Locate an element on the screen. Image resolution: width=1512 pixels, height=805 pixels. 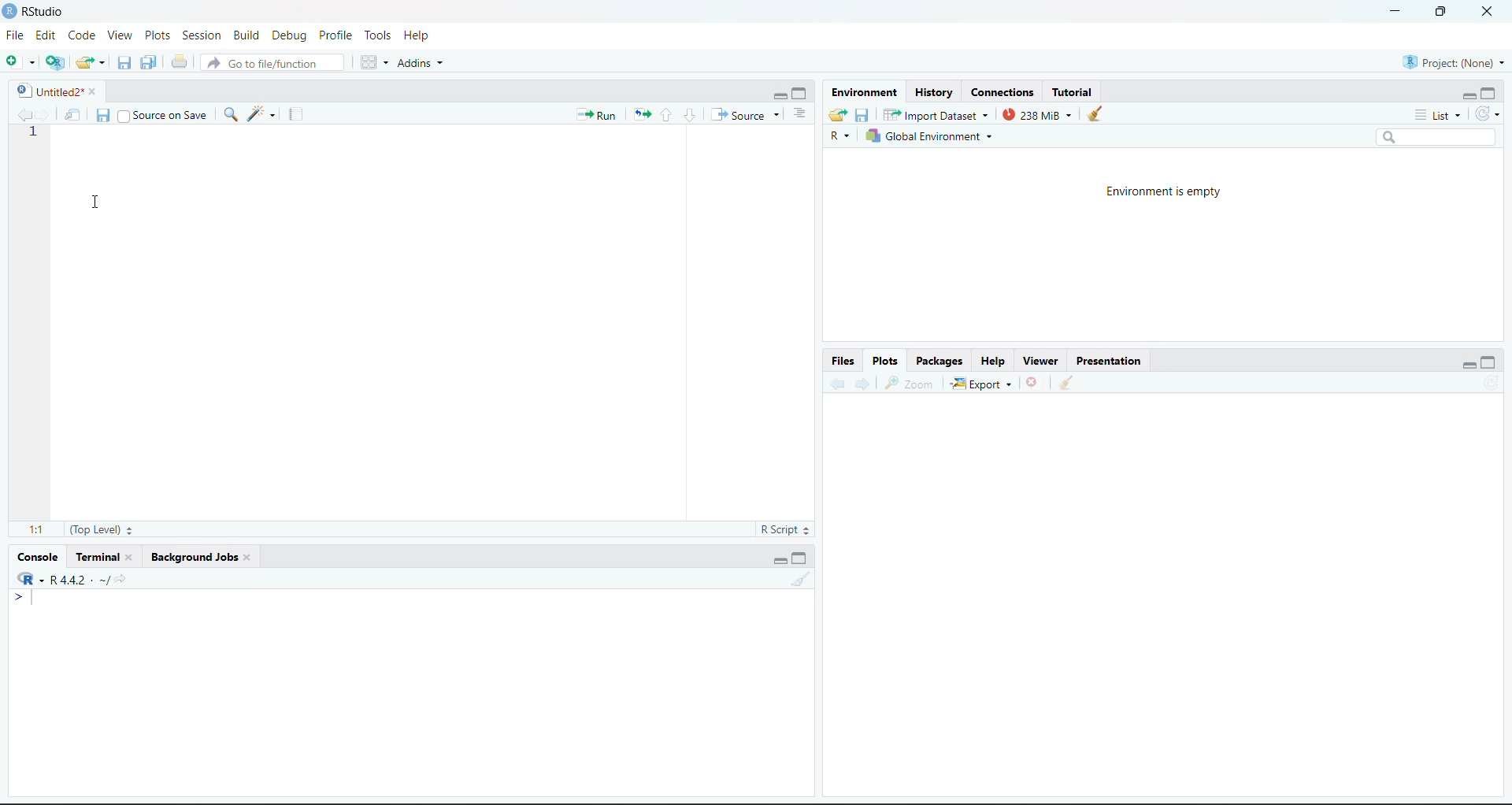
Console is located at coordinates (38, 558).